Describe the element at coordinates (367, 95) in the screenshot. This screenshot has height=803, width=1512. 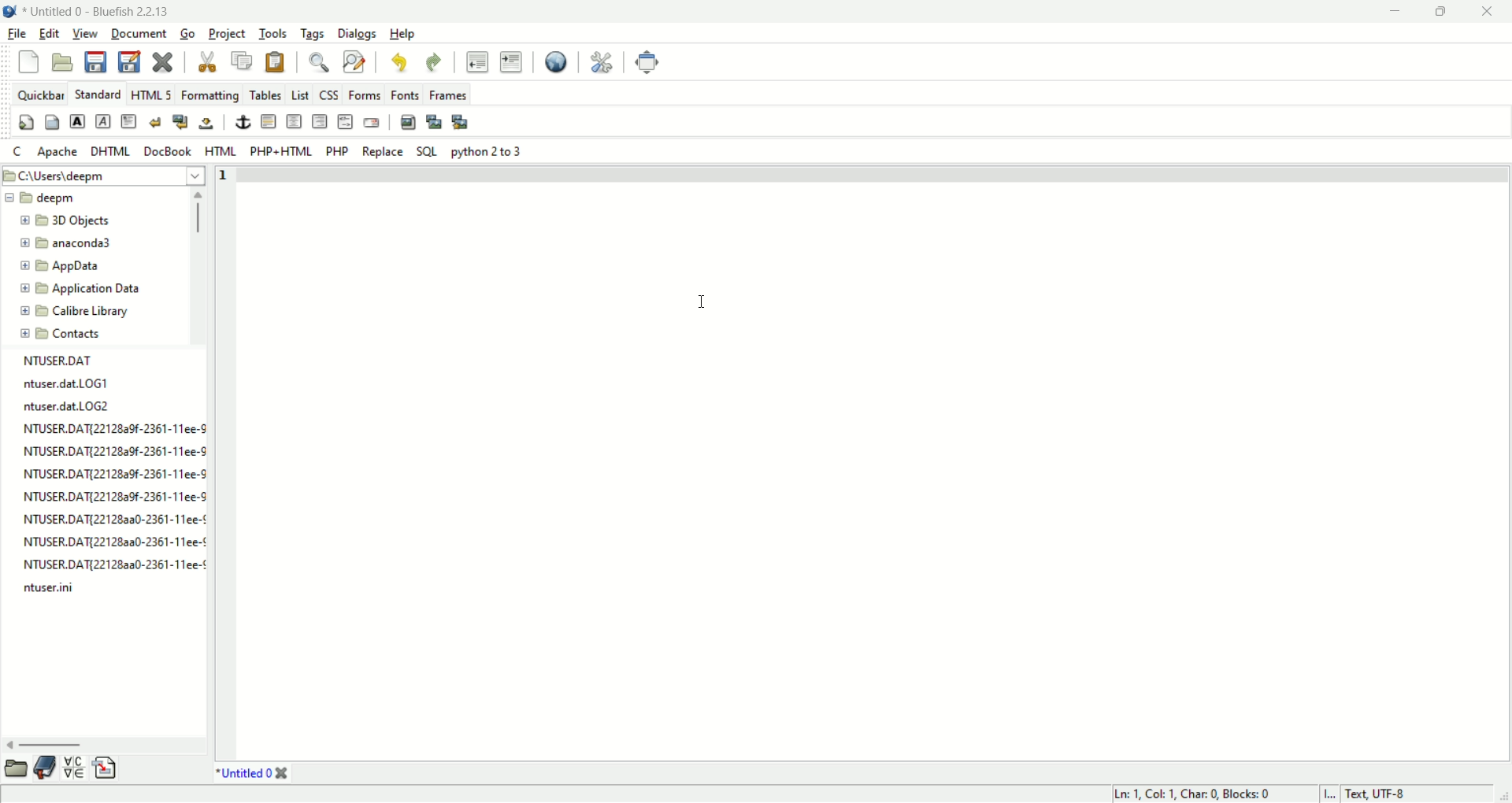
I see `forms` at that location.